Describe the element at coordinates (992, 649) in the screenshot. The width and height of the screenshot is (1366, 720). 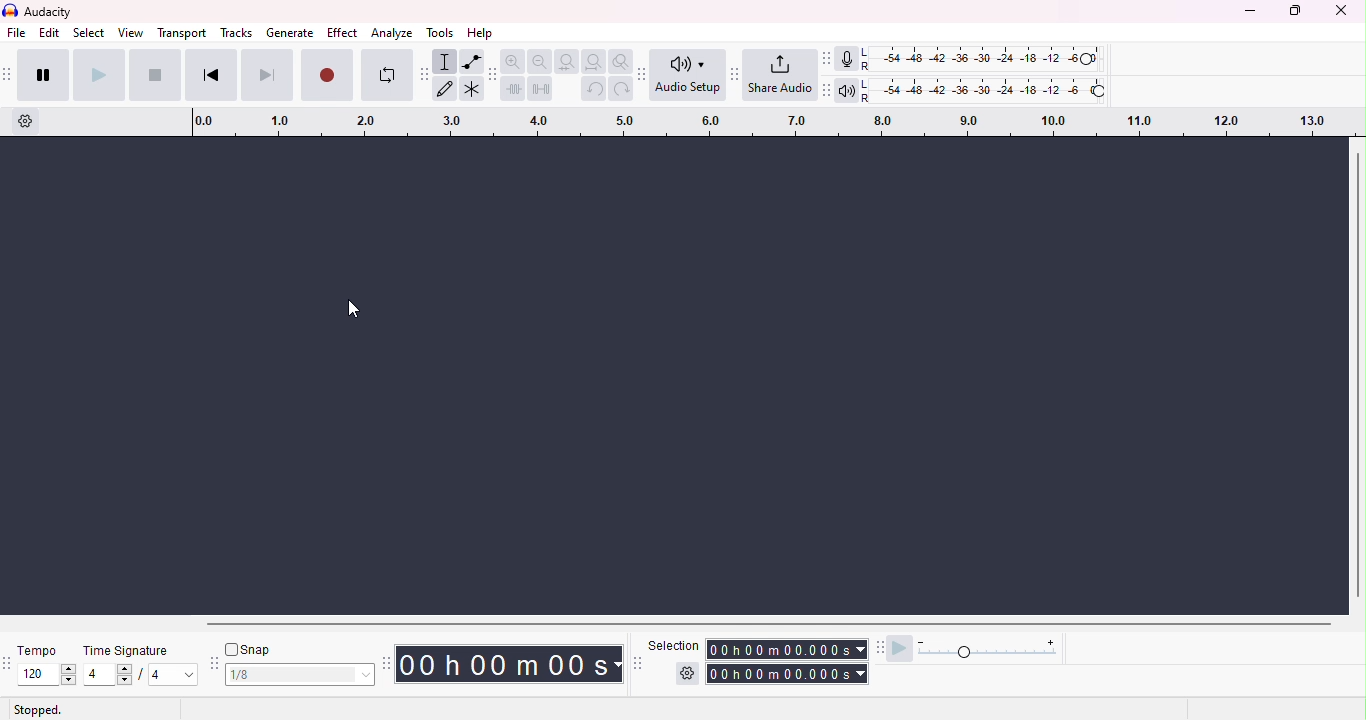
I see `playback speed` at that location.